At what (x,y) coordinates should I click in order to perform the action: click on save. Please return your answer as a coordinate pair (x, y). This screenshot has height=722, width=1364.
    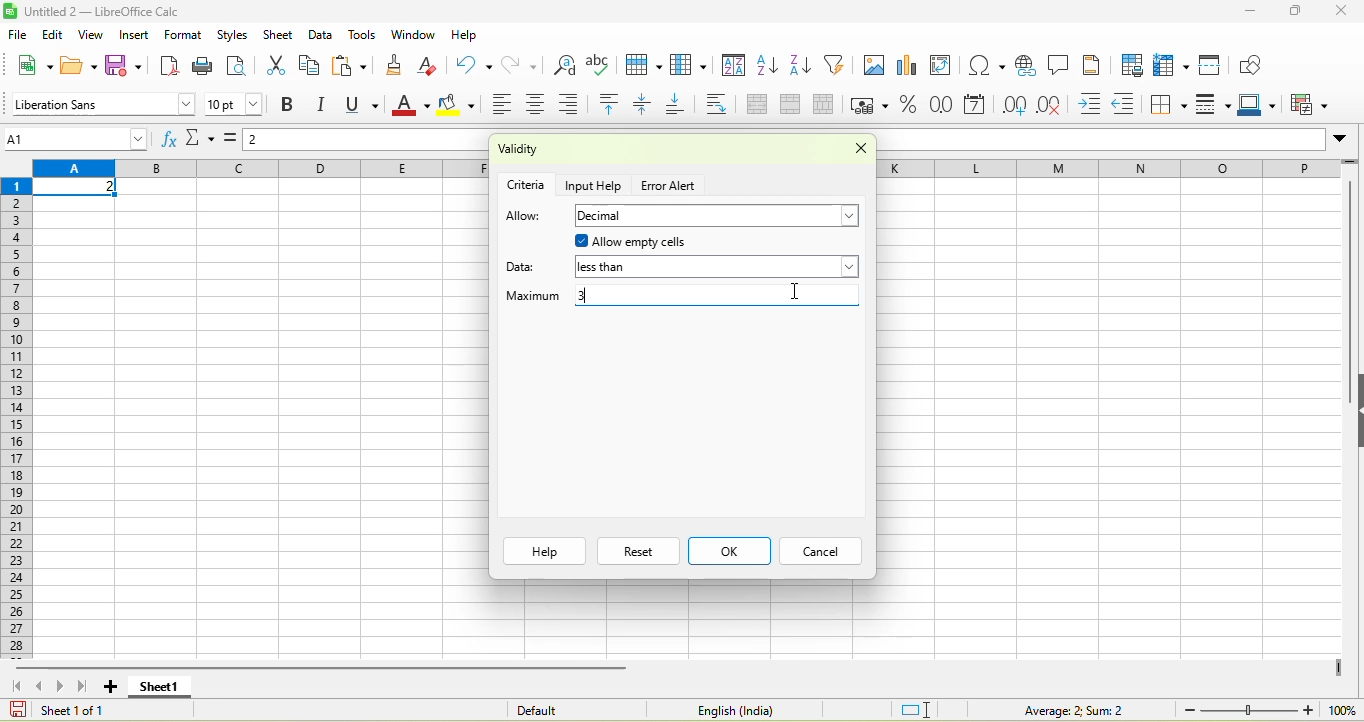
    Looking at the image, I should click on (127, 66).